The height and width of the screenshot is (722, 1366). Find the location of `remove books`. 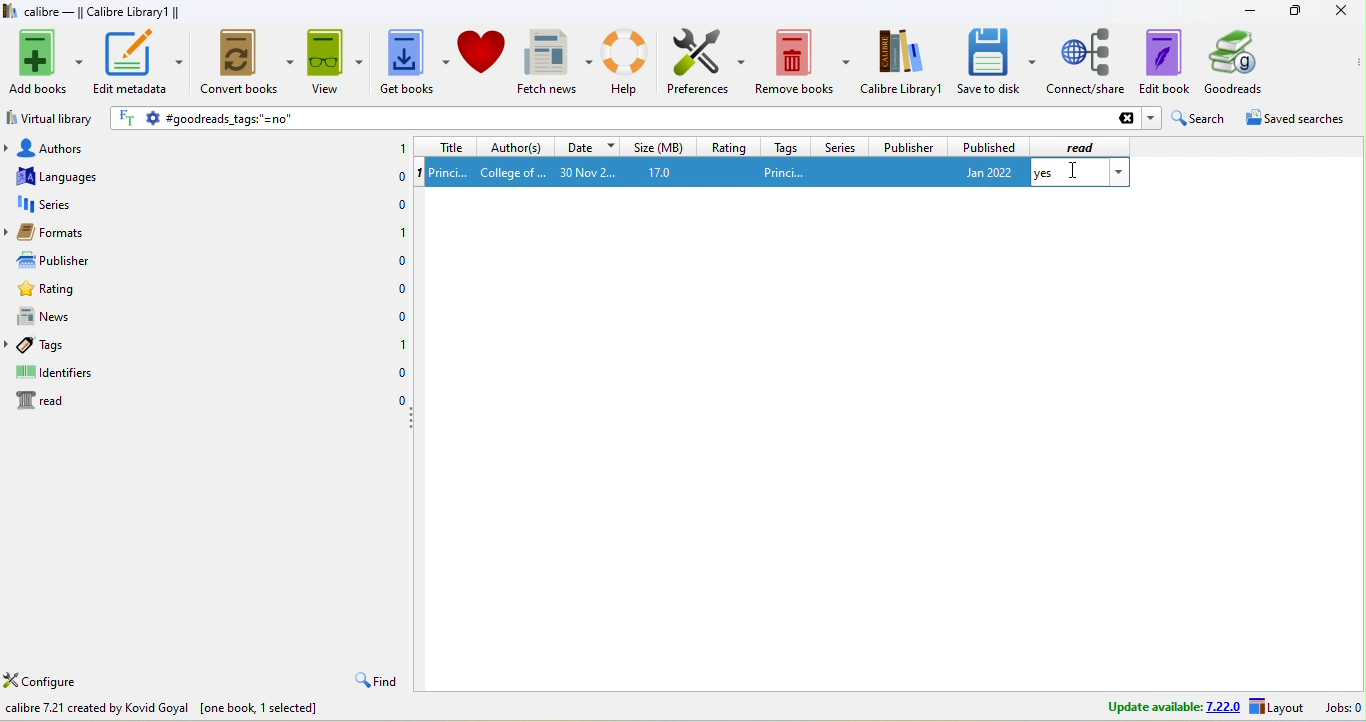

remove books is located at coordinates (802, 61).